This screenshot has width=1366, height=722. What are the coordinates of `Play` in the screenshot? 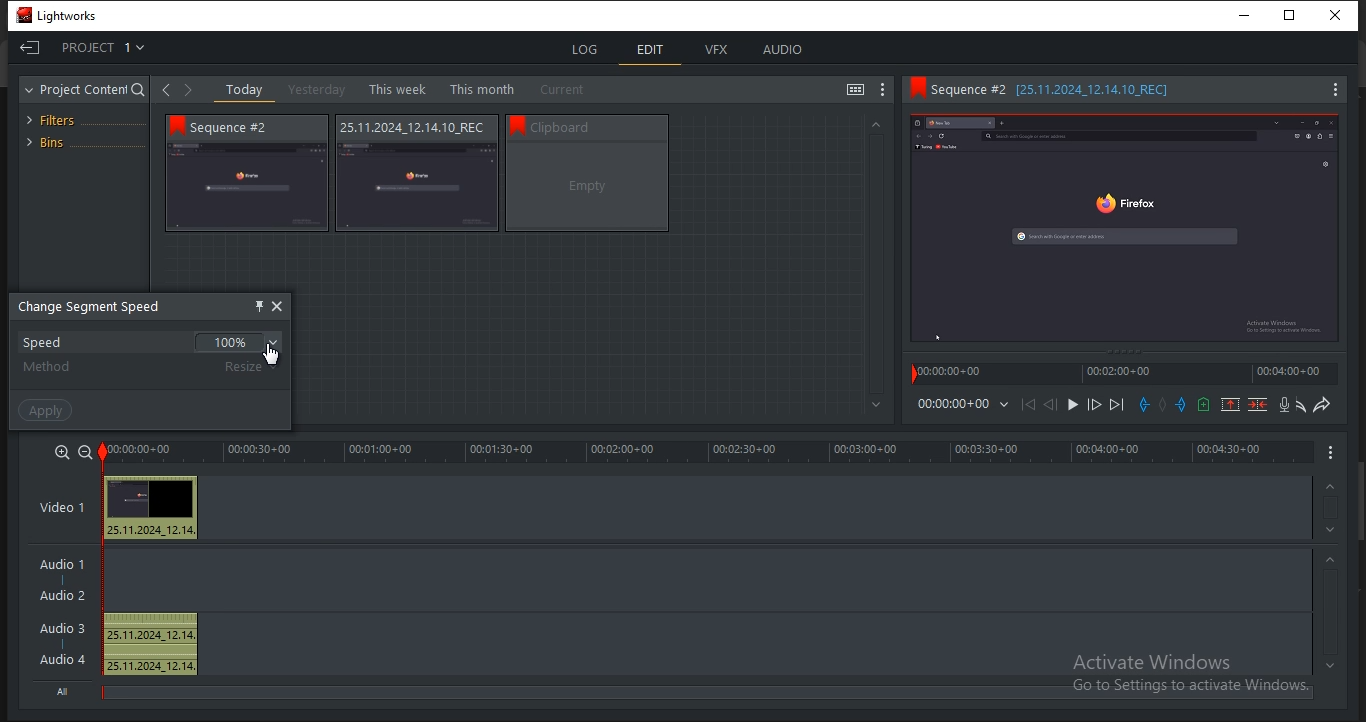 It's located at (1072, 406).